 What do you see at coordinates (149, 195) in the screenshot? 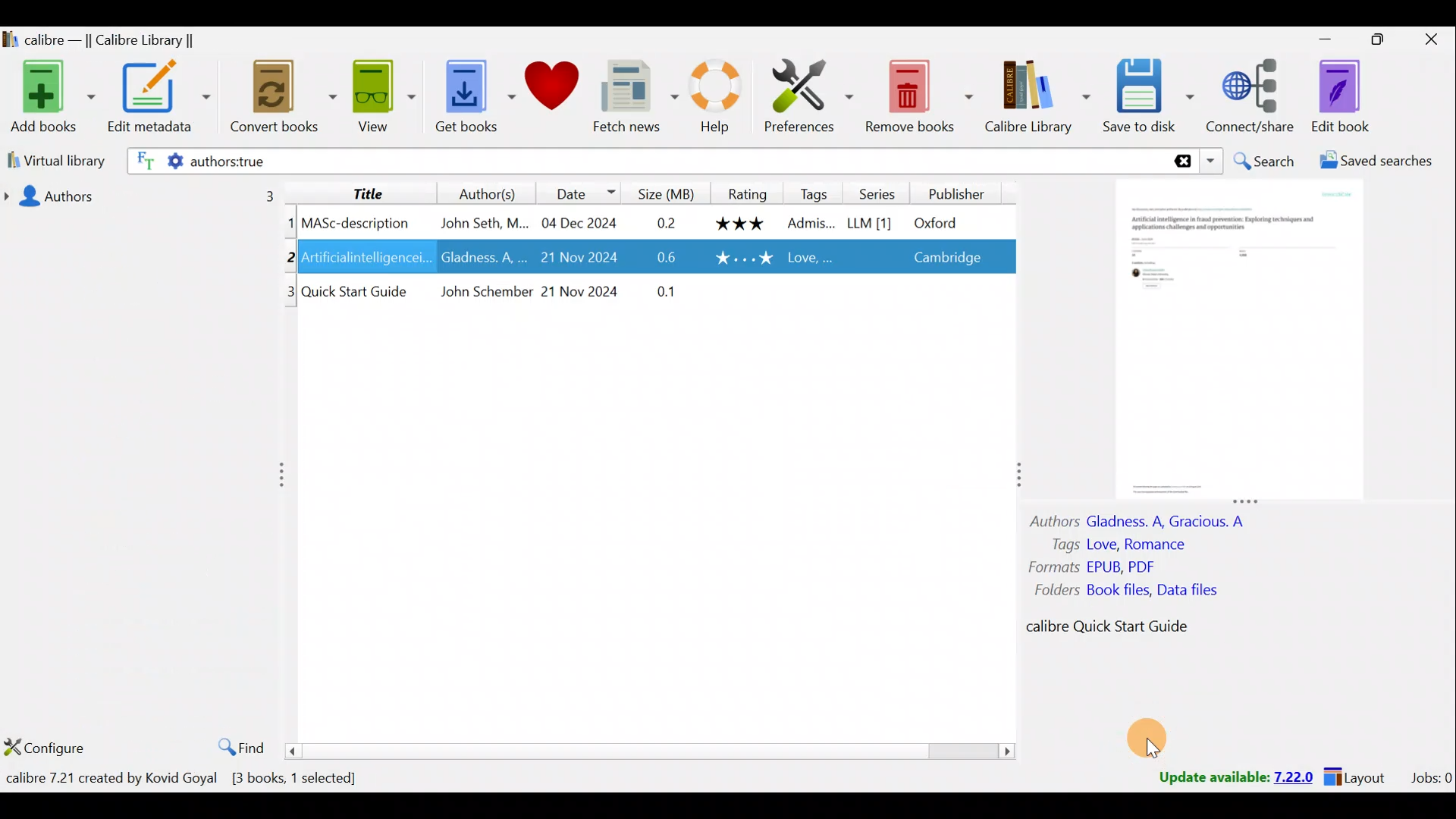
I see `Authors` at bounding box center [149, 195].